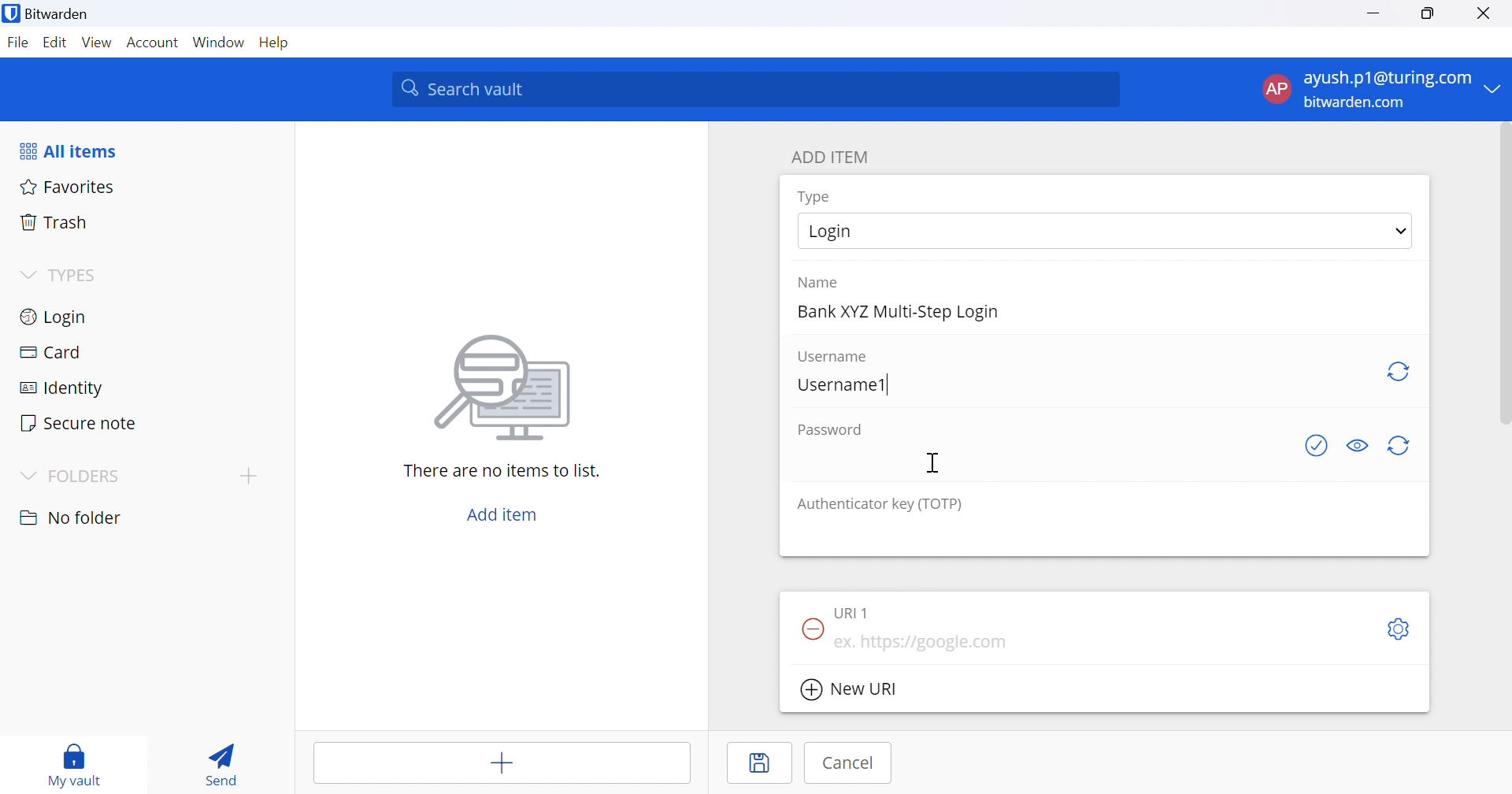 Image resolution: width=1512 pixels, height=794 pixels. Describe the element at coordinates (758, 89) in the screenshot. I see `Search vault` at that location.